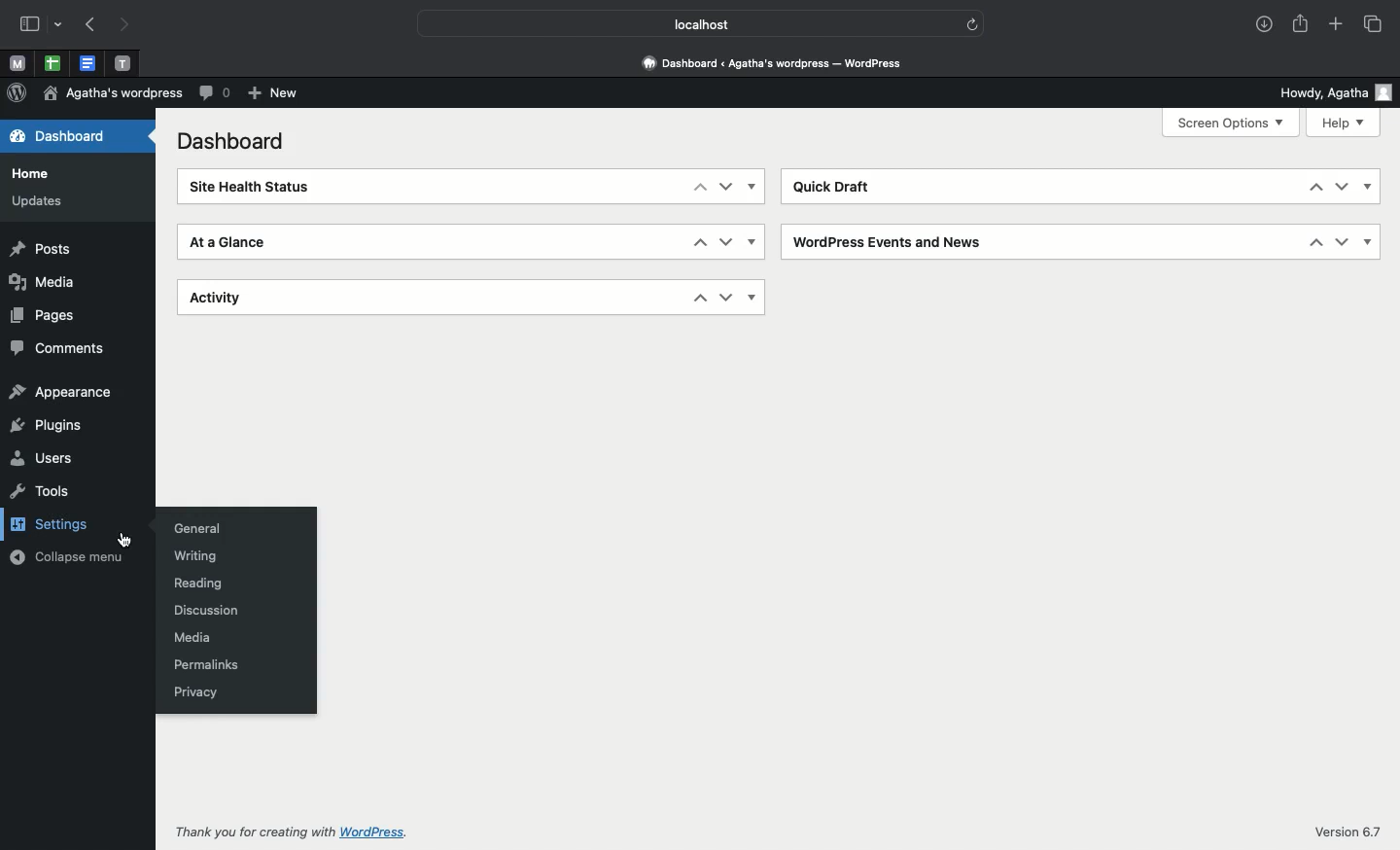 This screenshot has width=1400, height=850. What do you see at coordinates (727, 244) in the screenshot?
I see `Down` at bounding box center [727, 244].